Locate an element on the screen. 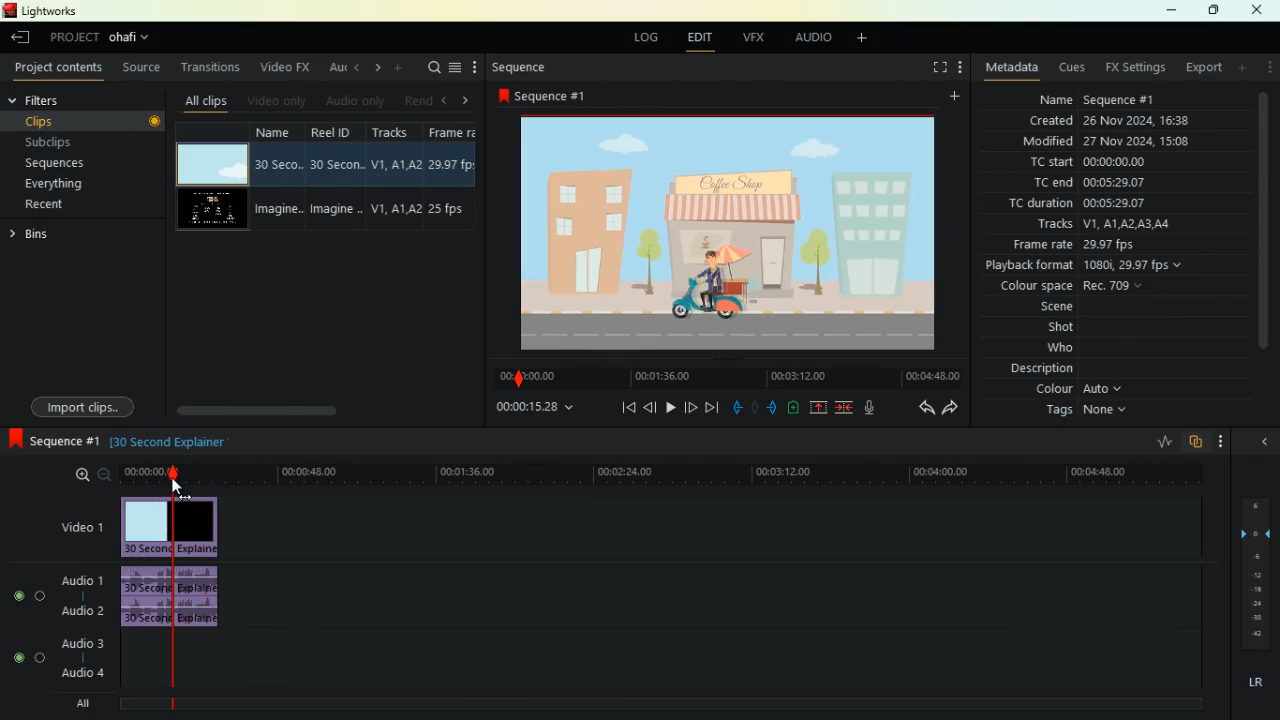 This screenshot has height=720, width=1280. audio is located at coordinates (819, 38).